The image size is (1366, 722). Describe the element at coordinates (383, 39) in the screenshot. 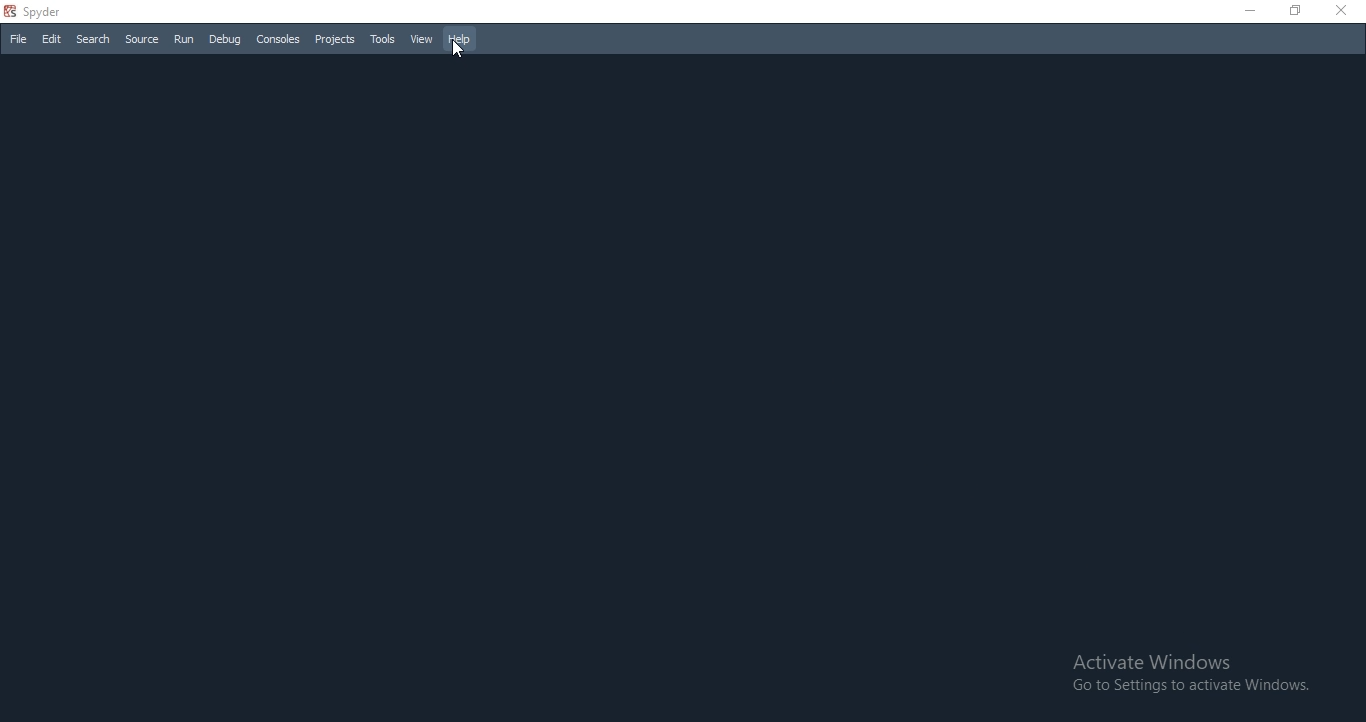

I see `Tools` at that location.